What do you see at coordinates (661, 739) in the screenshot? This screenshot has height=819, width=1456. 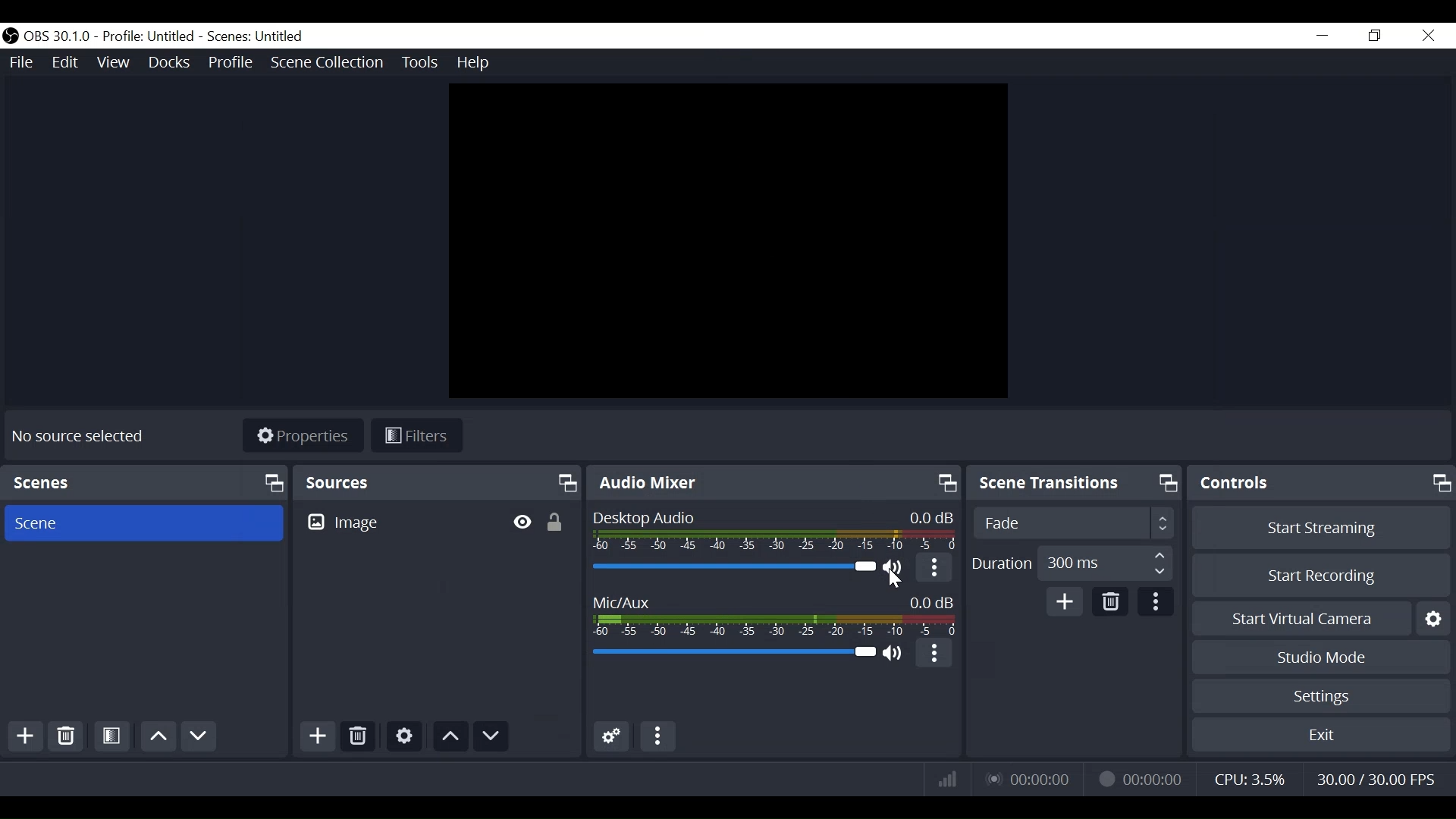 I see `More options` at bounding box center [661, 739].